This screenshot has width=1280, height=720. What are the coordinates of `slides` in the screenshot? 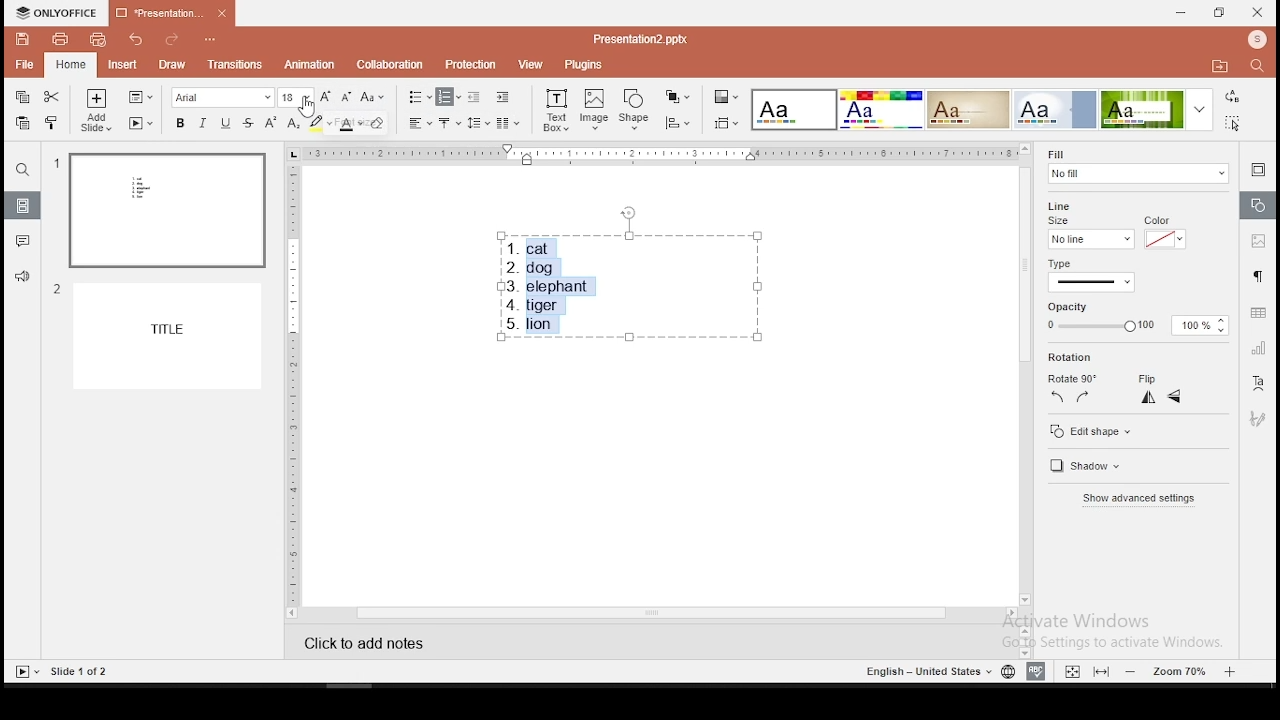 It's located at (22, 206).